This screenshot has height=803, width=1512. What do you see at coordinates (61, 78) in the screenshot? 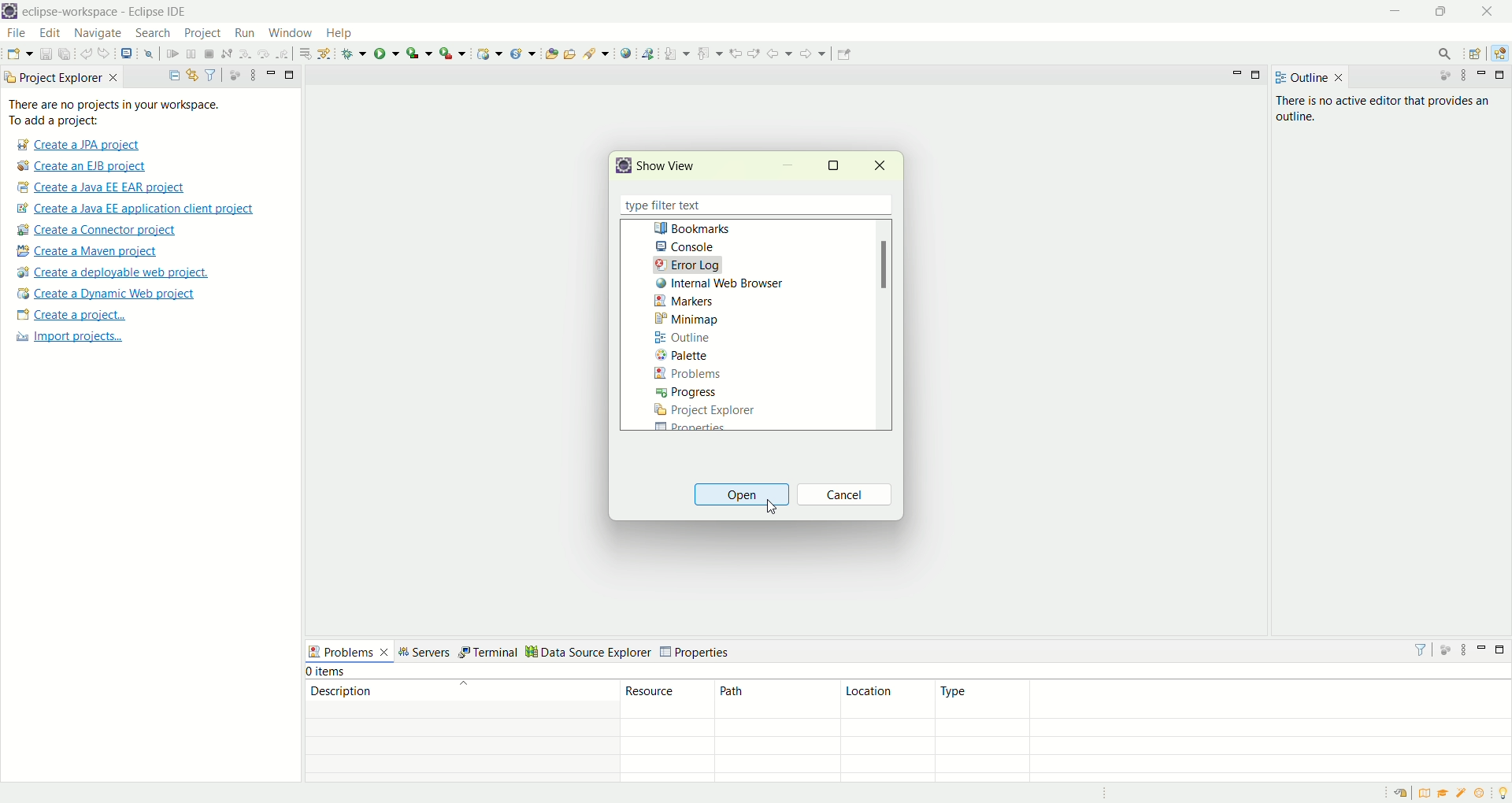
I see `project explorer` at bounding box center [61, 78].